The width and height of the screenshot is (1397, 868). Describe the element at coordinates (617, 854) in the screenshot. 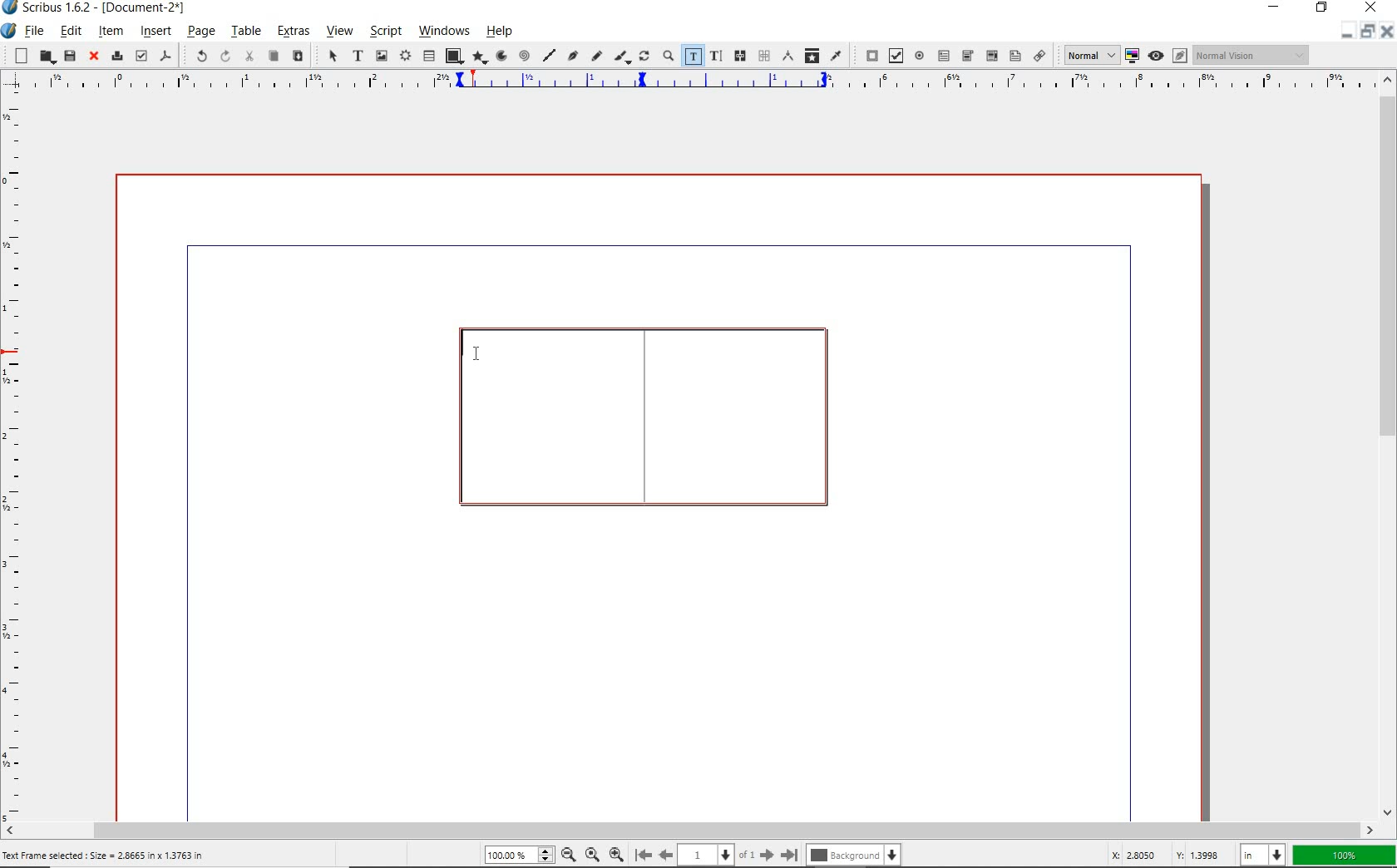

I see `zoom out` at that location.